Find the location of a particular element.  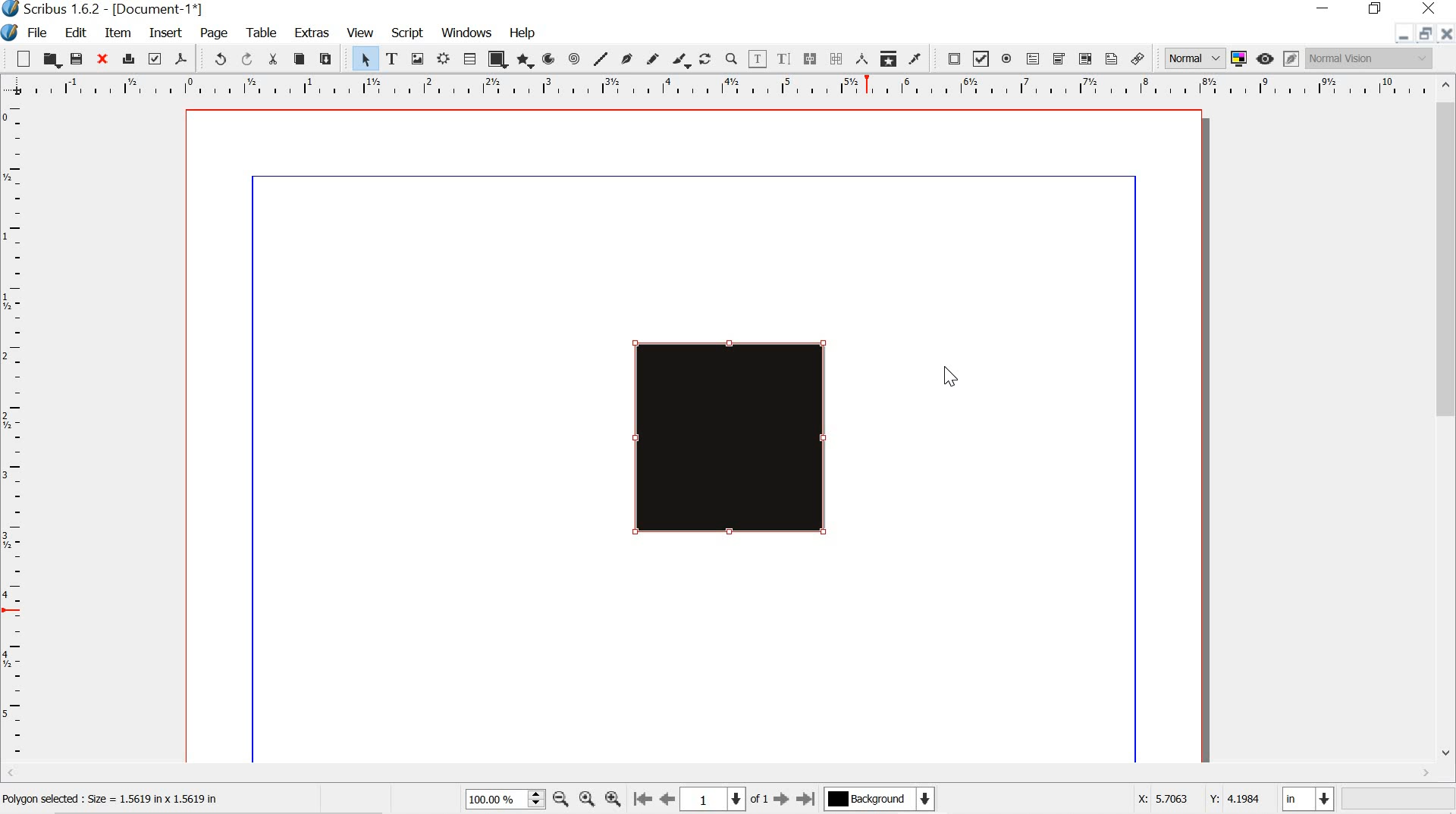

normal vision is located at coordinates (1370, 60).